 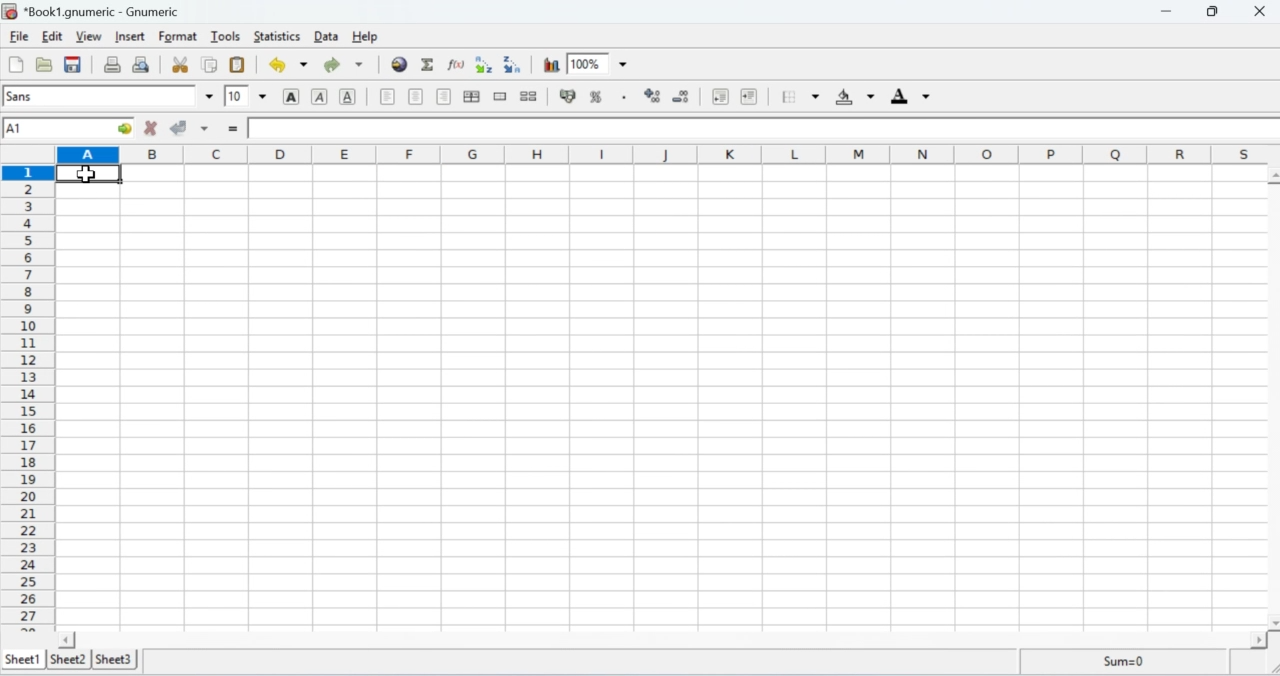 I want to click on Scroll bar, so click(x=1267, y=397).